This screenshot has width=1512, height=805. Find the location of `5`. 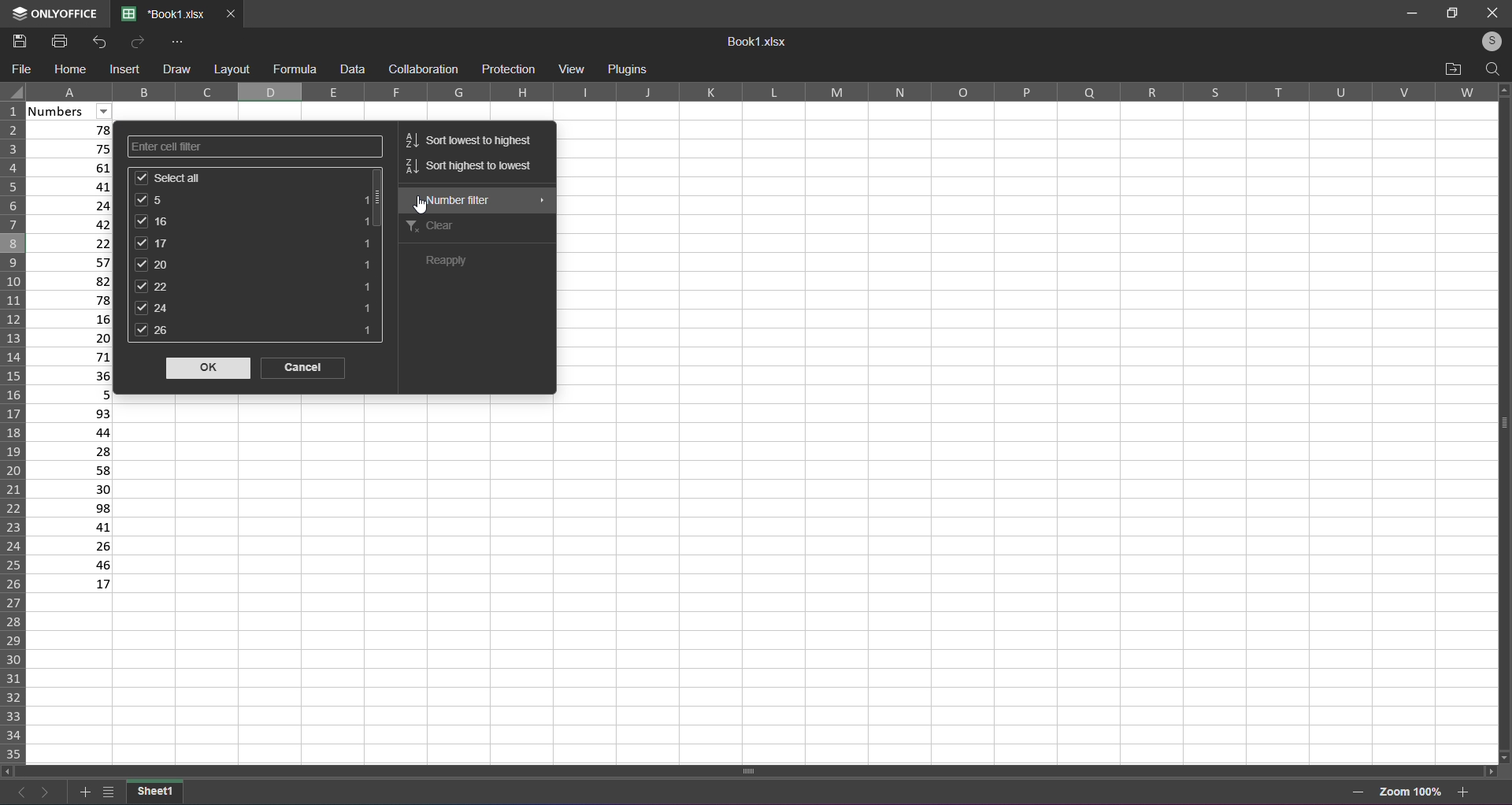

5 is located at coordinates (254, 199).